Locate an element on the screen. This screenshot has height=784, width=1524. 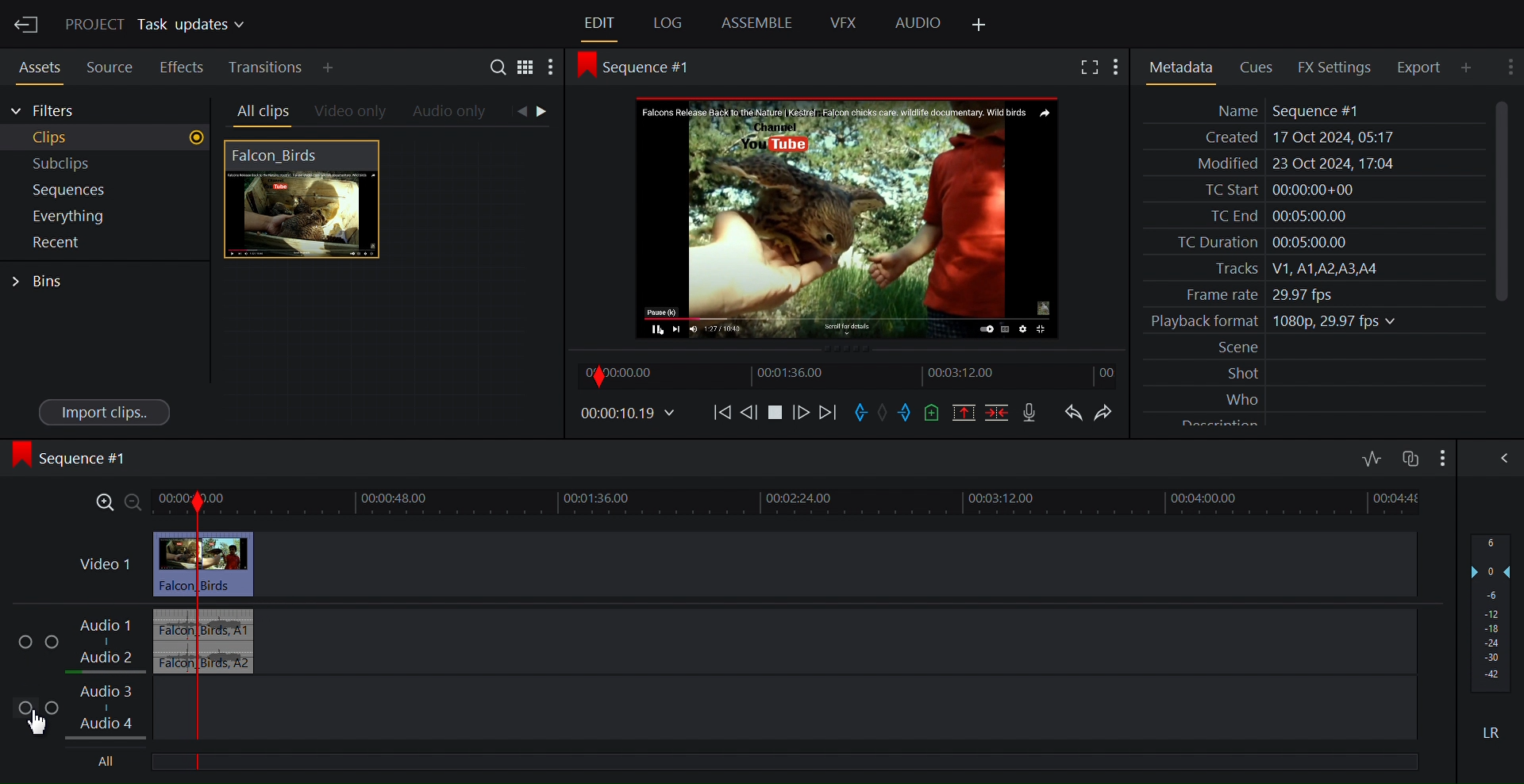
 is located at coordinates (1201, 498).